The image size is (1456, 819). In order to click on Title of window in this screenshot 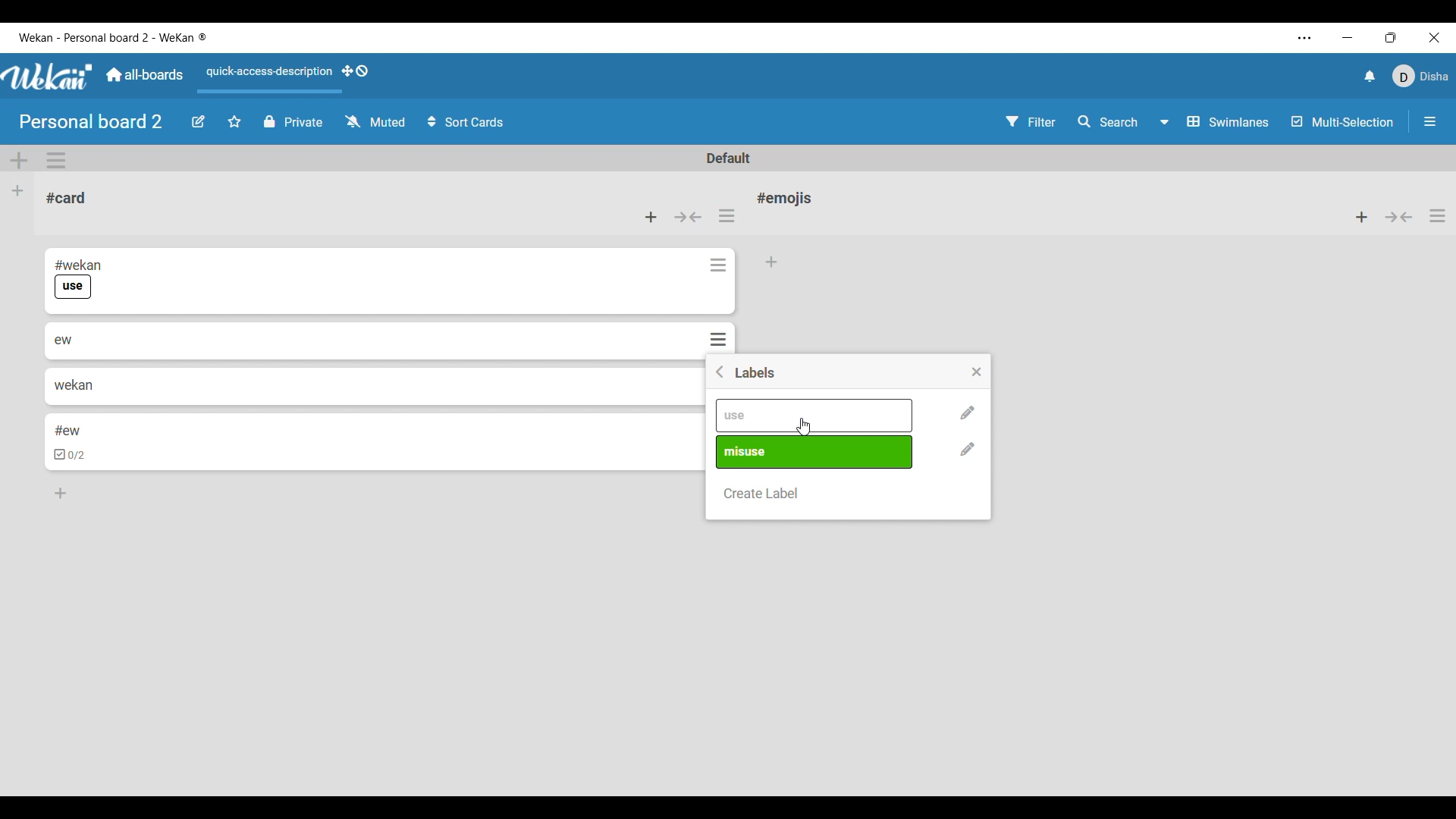, I will do `click(755, 371)`.